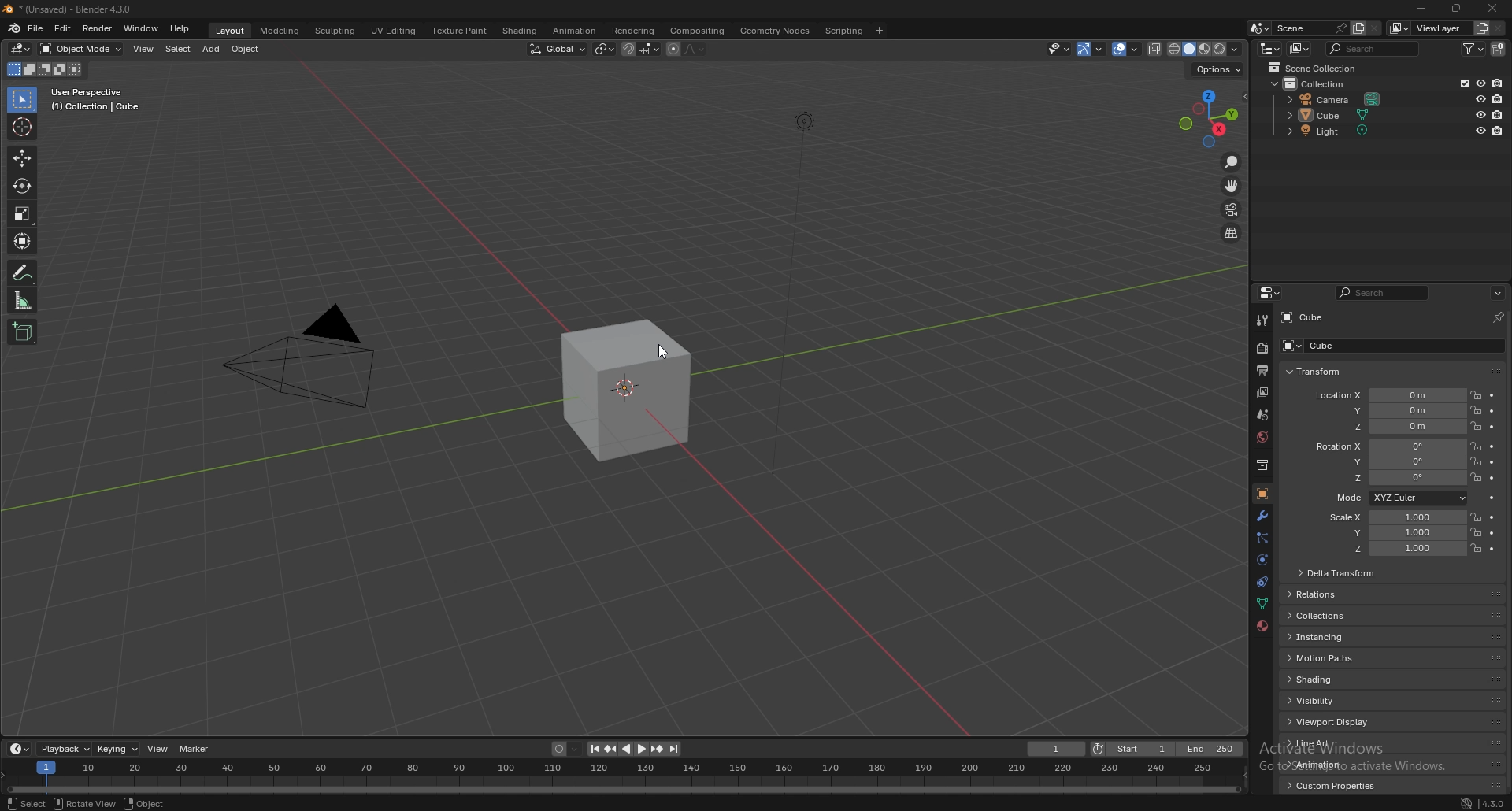  Describe the element at coordinates (1492, 462) in the screenshot. I see `animate property` at that location.